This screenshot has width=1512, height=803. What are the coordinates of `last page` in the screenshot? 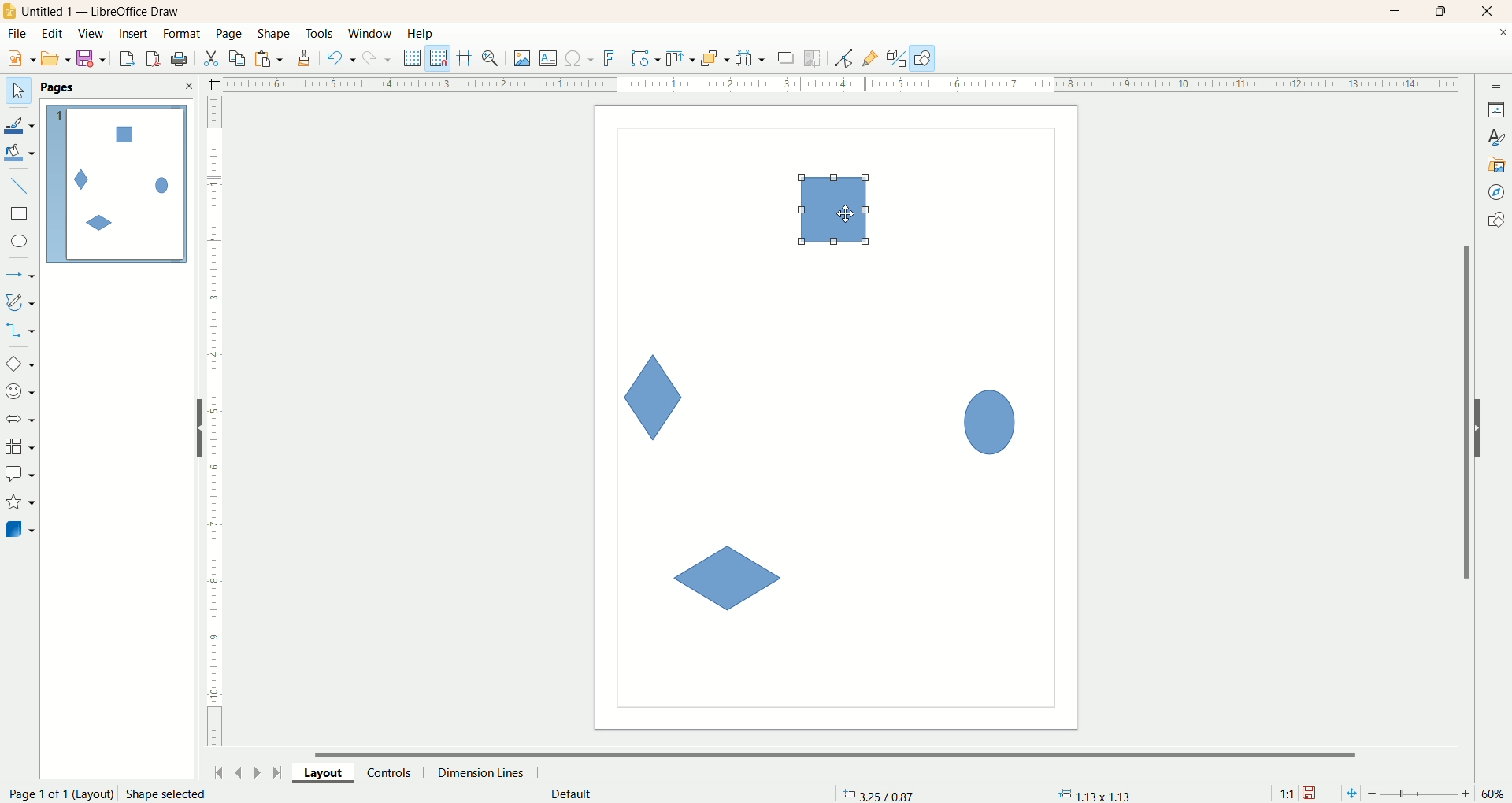 It's located at (280, 771).